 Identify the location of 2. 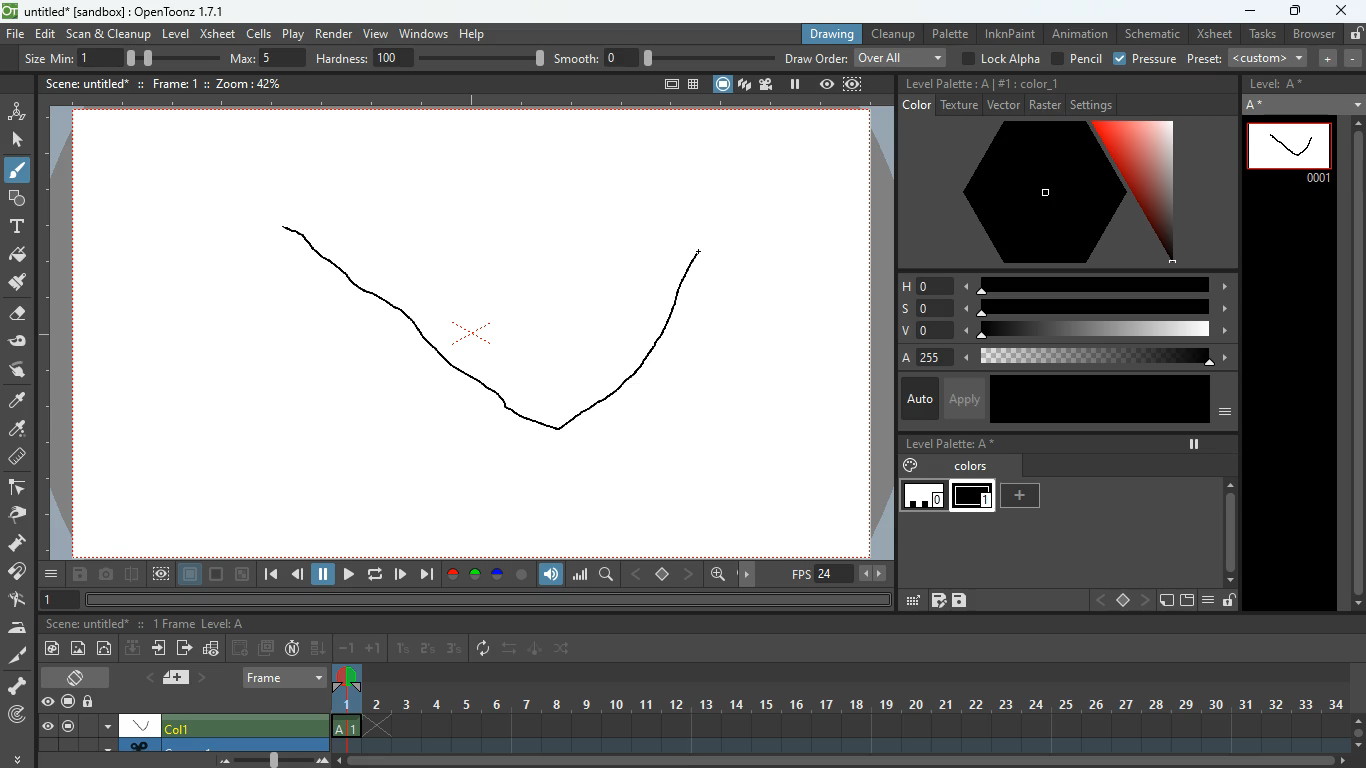
(428, 649).